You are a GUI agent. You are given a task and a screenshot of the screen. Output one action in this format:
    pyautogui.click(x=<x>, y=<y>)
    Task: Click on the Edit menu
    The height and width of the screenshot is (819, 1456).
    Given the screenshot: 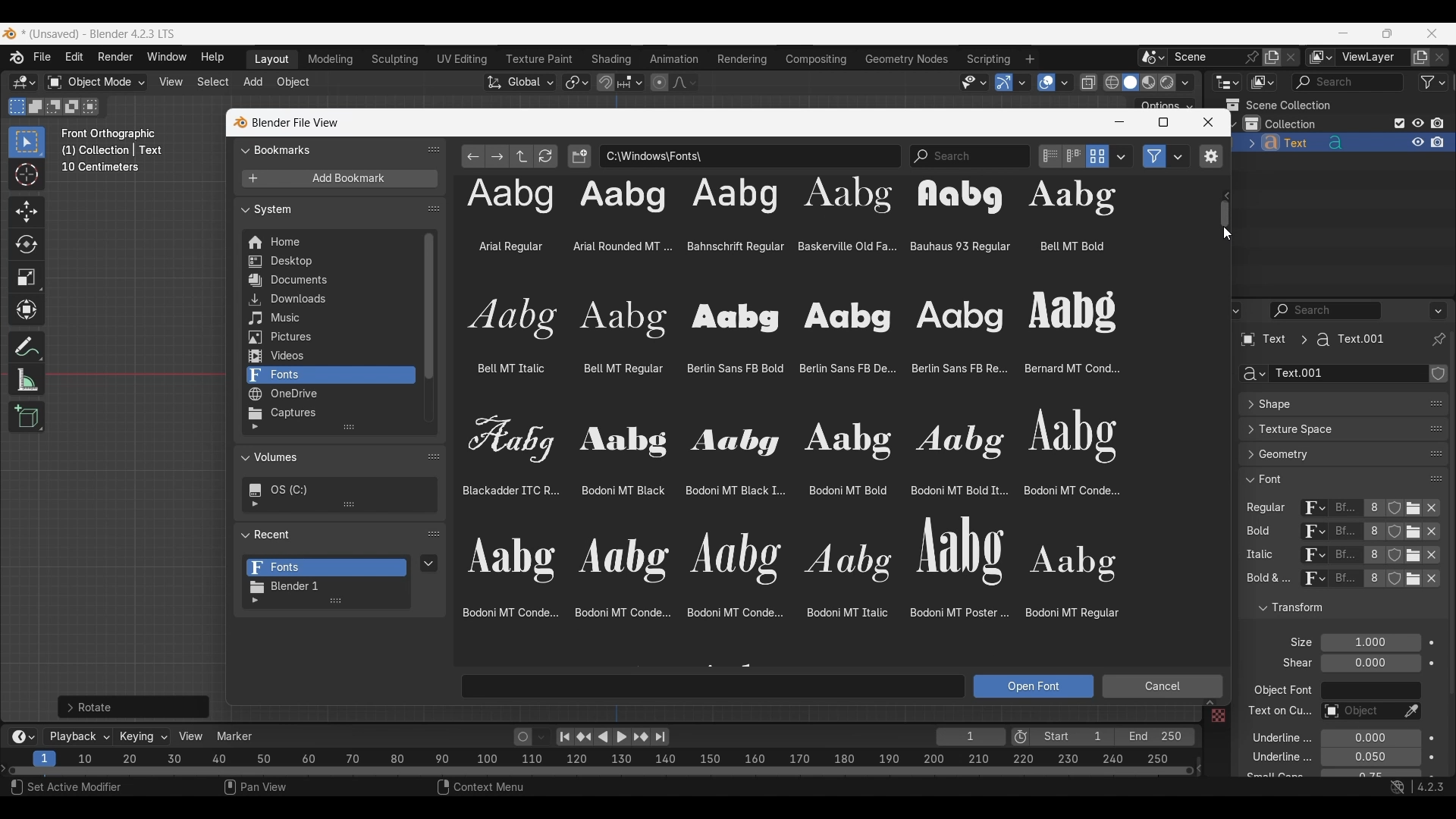 What is the action you would take?
    pyautogui.click(x=74, y=58)
    